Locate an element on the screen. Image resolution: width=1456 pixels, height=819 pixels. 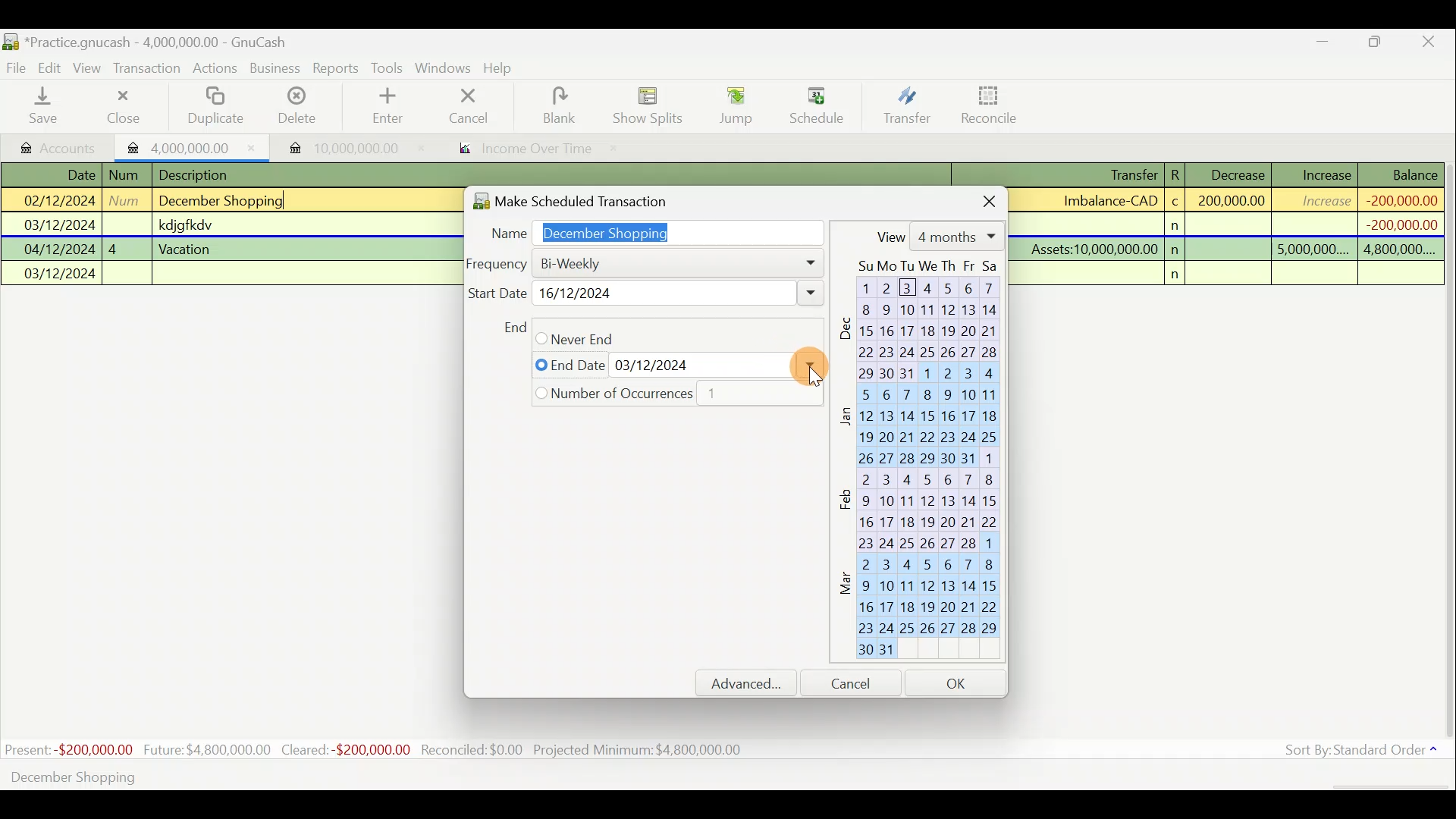
Delete is located at coordinates (295, 111).